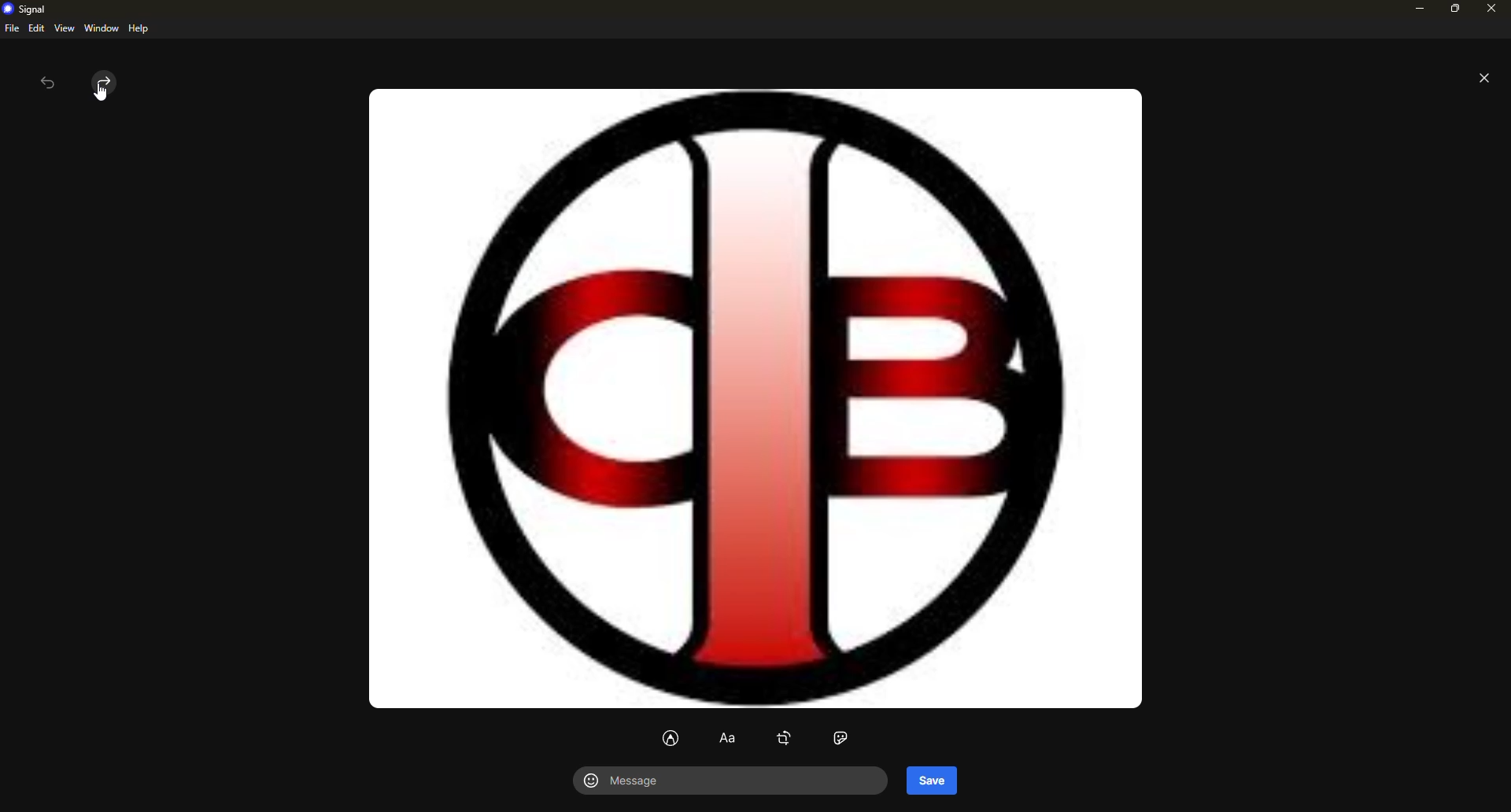 The height and width of the screenshot is (812, 1511). Describe the element at coordinates (671, 739) in the screenshot. I see `edit` at that location.